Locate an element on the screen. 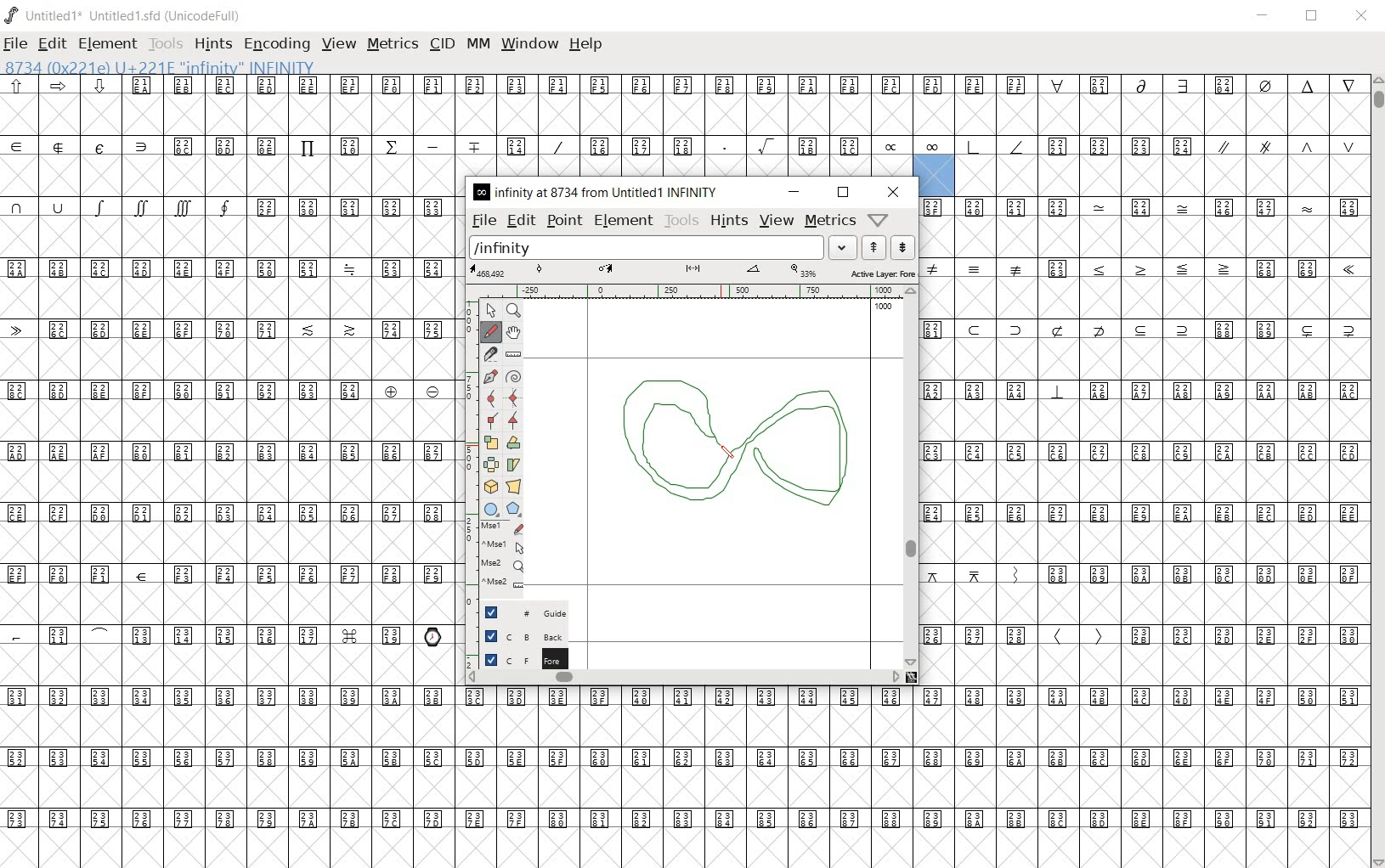 The width and height of the screenshot is (1385, 868). draw a freehand curve is located at coordinates (492, 332).